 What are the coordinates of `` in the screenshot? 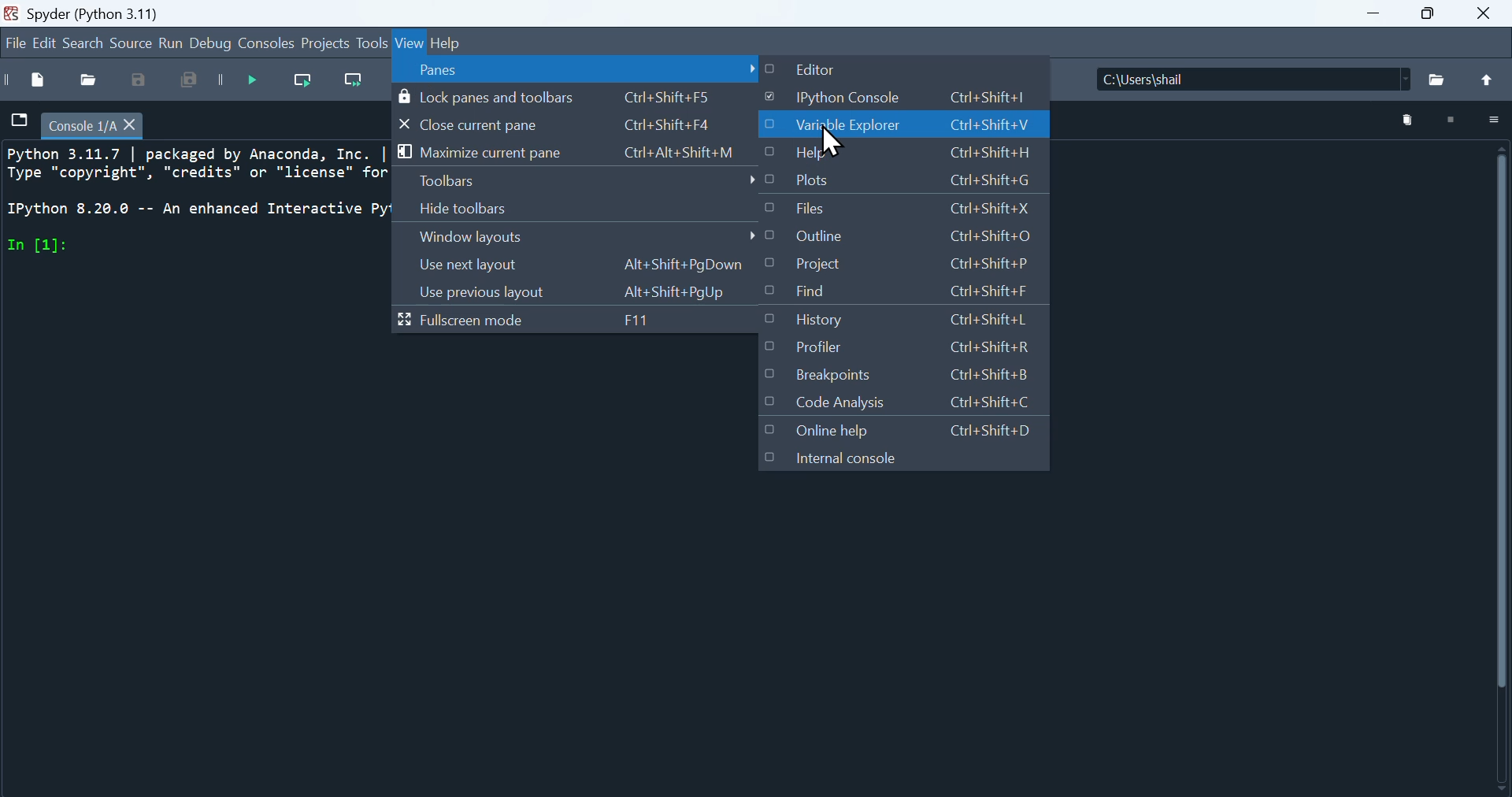 It's located at (13, 44).